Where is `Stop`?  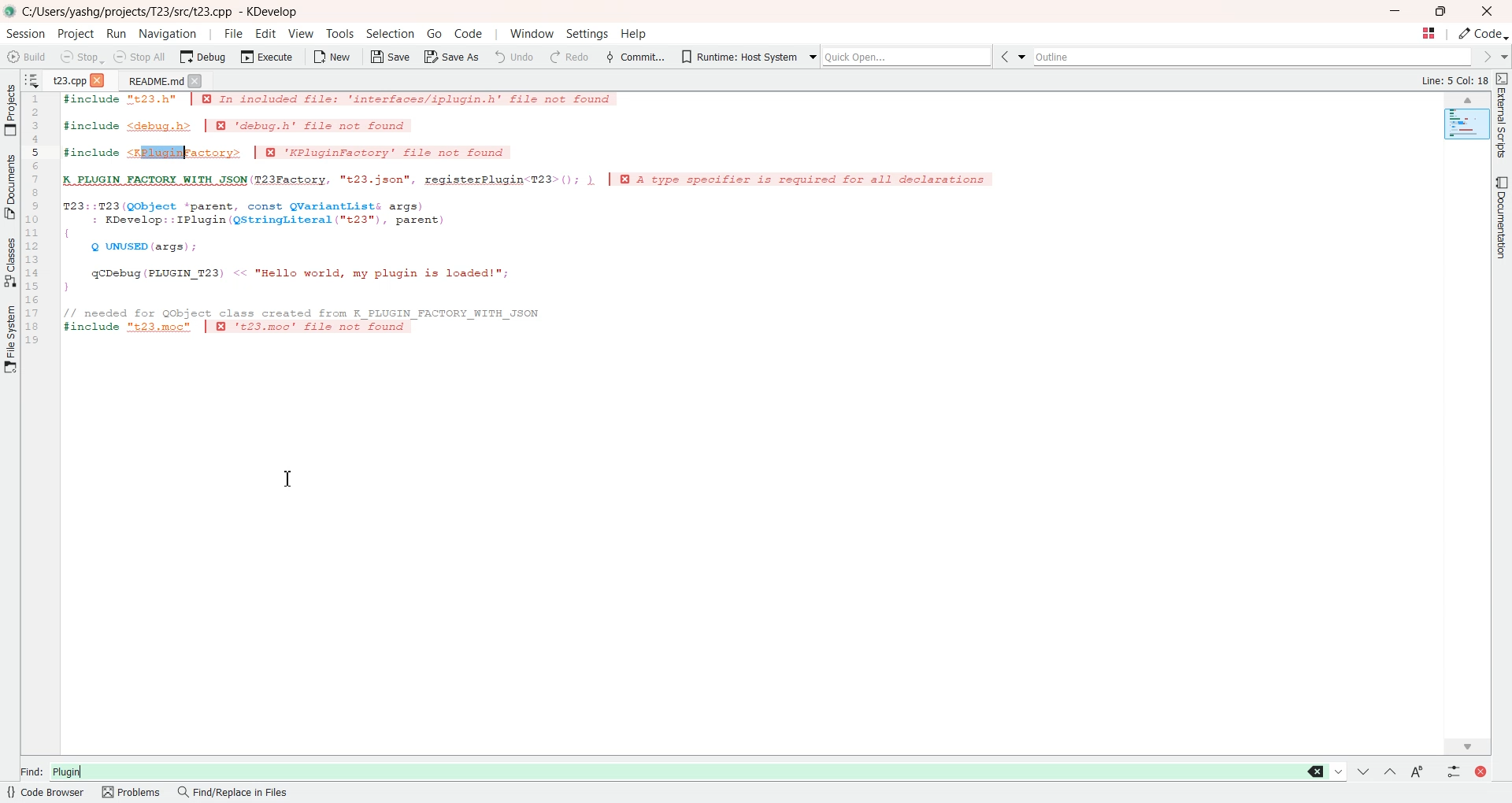 Stop is located at coordinates (81, 57).